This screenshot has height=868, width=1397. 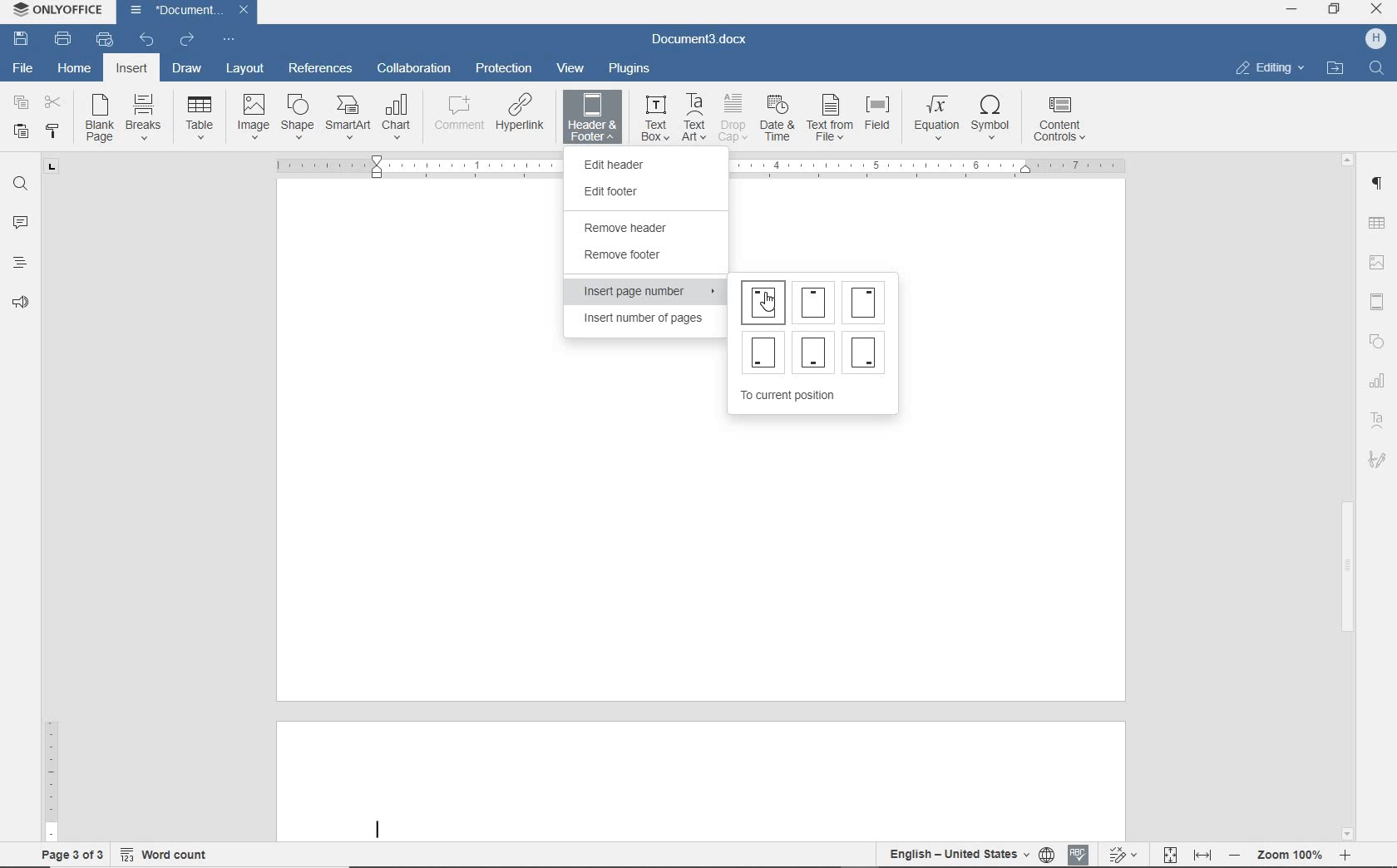 What do you see at coordinates (97, 118) in the screenshot?
I see `BLANK OAGE` at bounding box center [97, 118].